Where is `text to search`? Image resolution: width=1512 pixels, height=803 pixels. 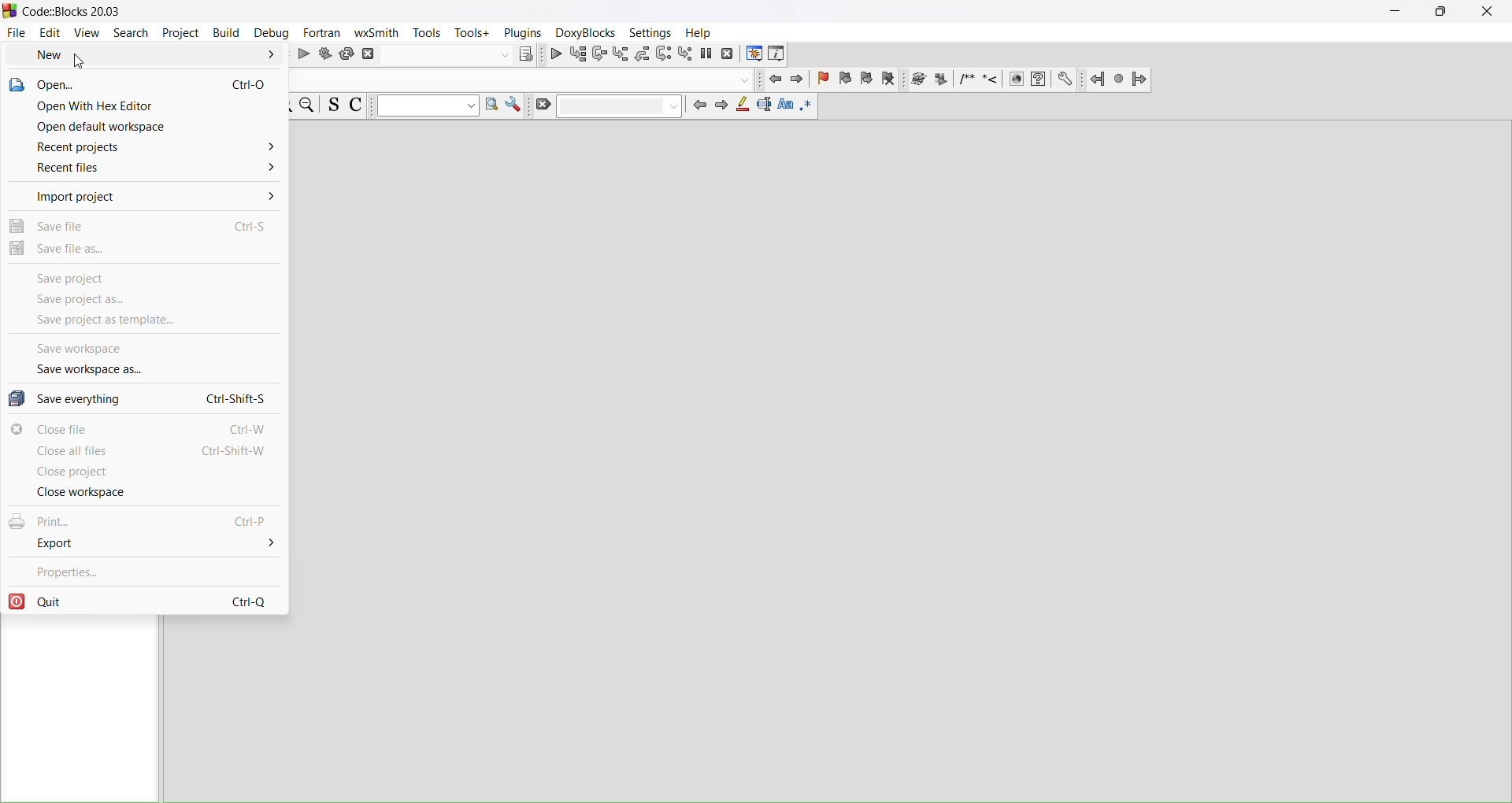
text to search is located at coordinates (426, 106).